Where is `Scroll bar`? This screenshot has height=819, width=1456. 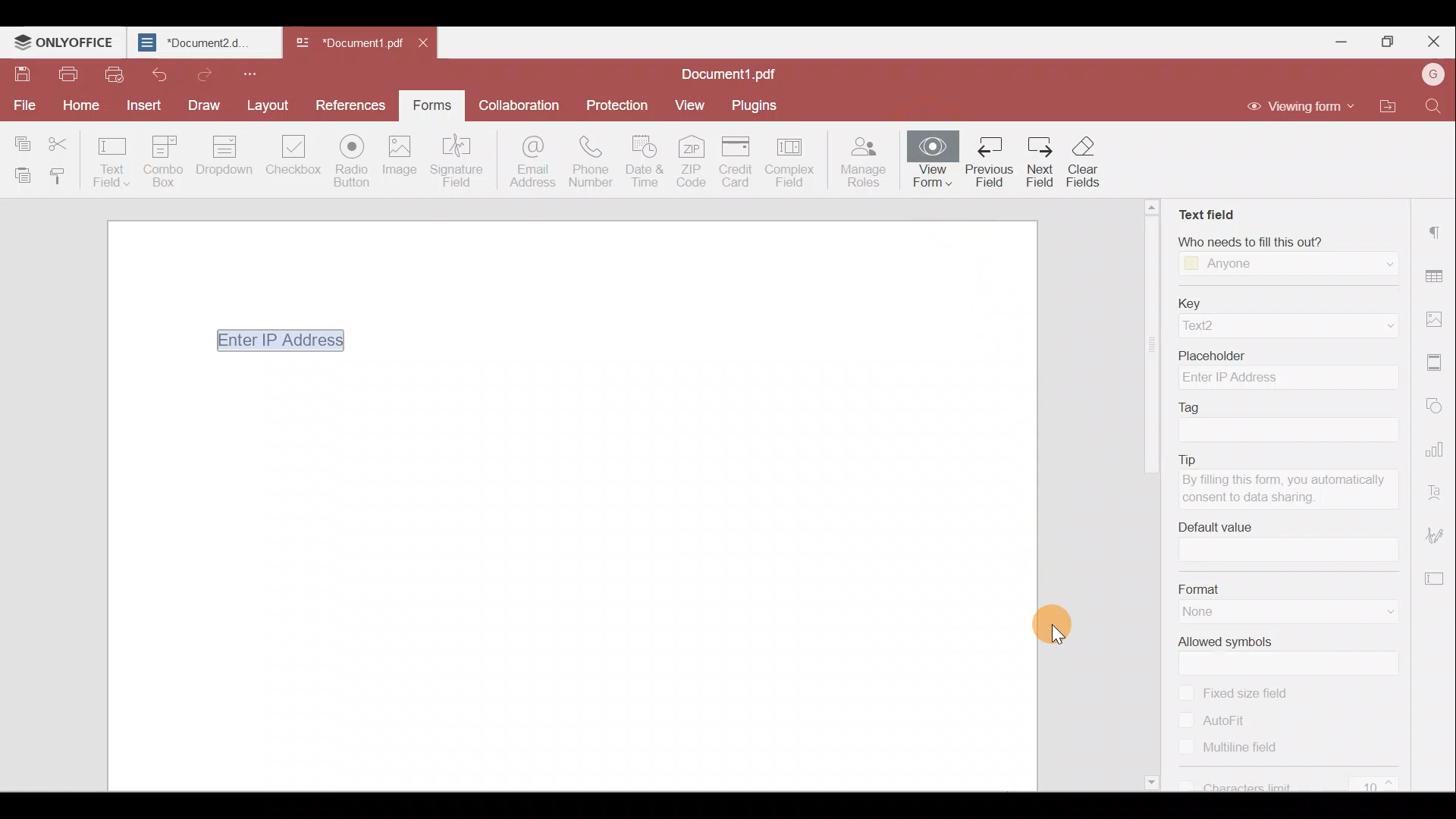 Scroll bar is located at coordinates (1153, 498).